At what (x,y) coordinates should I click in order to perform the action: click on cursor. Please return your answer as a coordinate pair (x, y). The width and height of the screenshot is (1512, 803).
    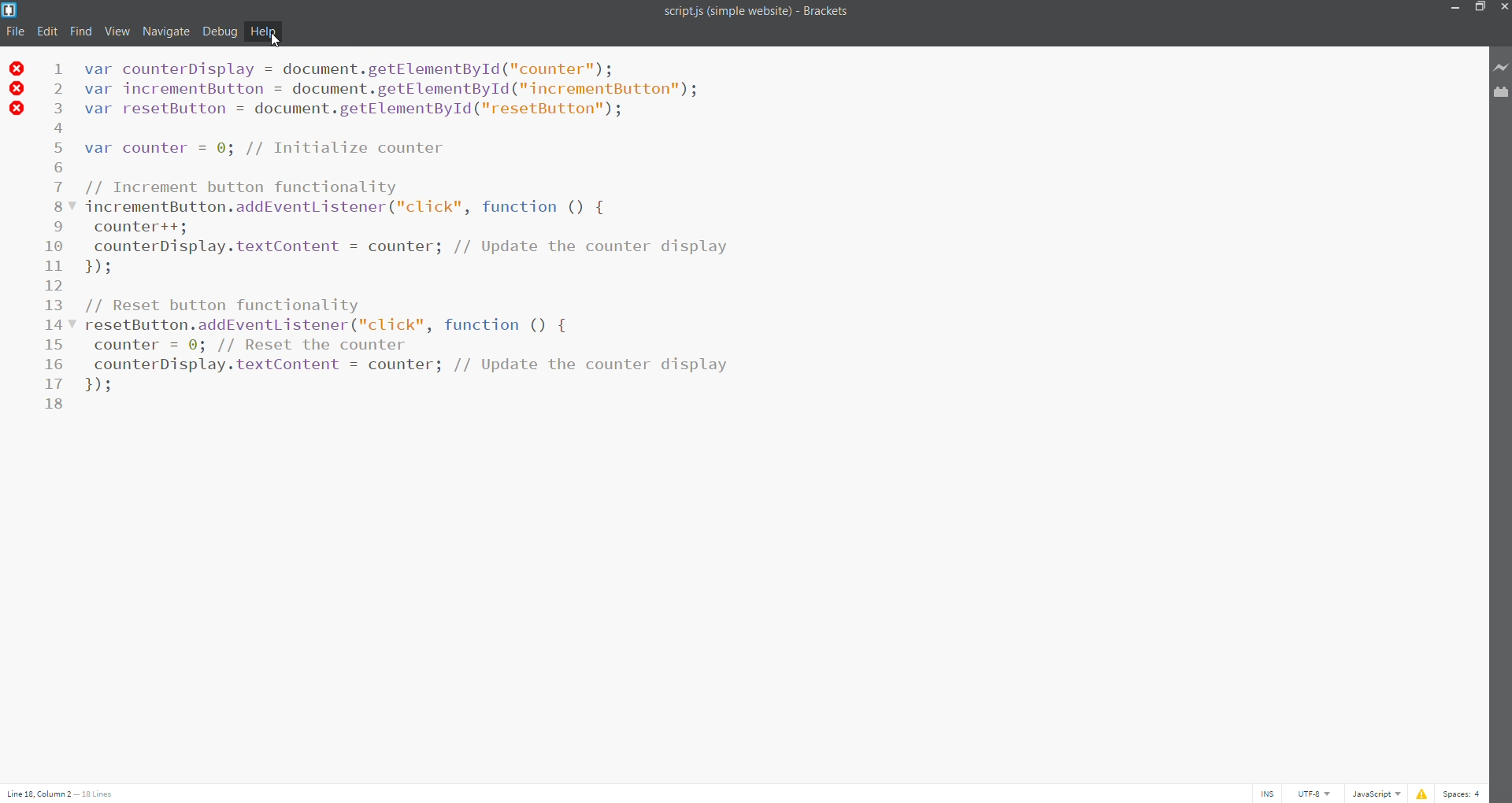
    Looking at the image, I should click on (275, 40).